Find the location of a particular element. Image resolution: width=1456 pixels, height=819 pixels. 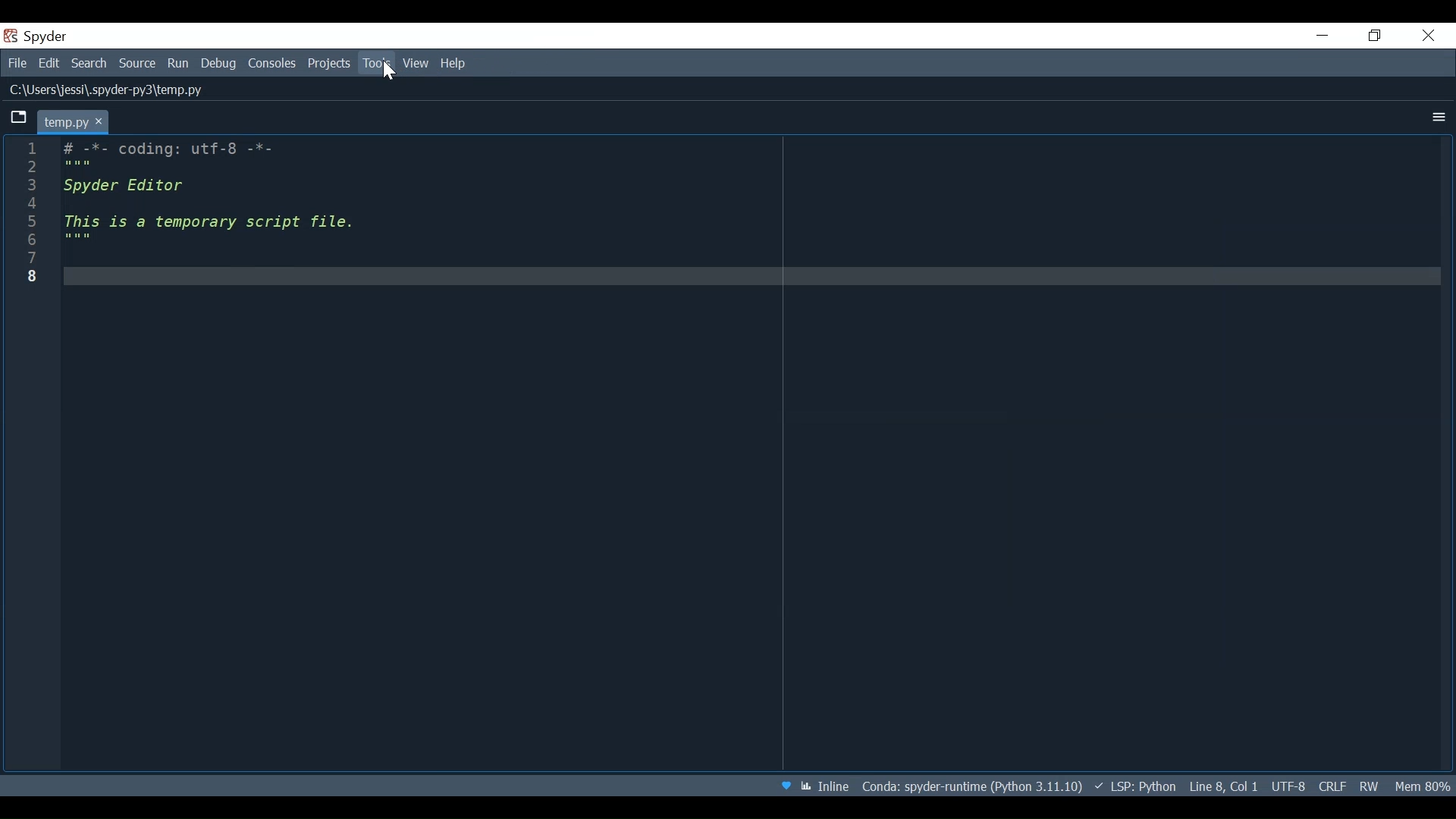

File Encoding is located at coordinates (1288, 786).